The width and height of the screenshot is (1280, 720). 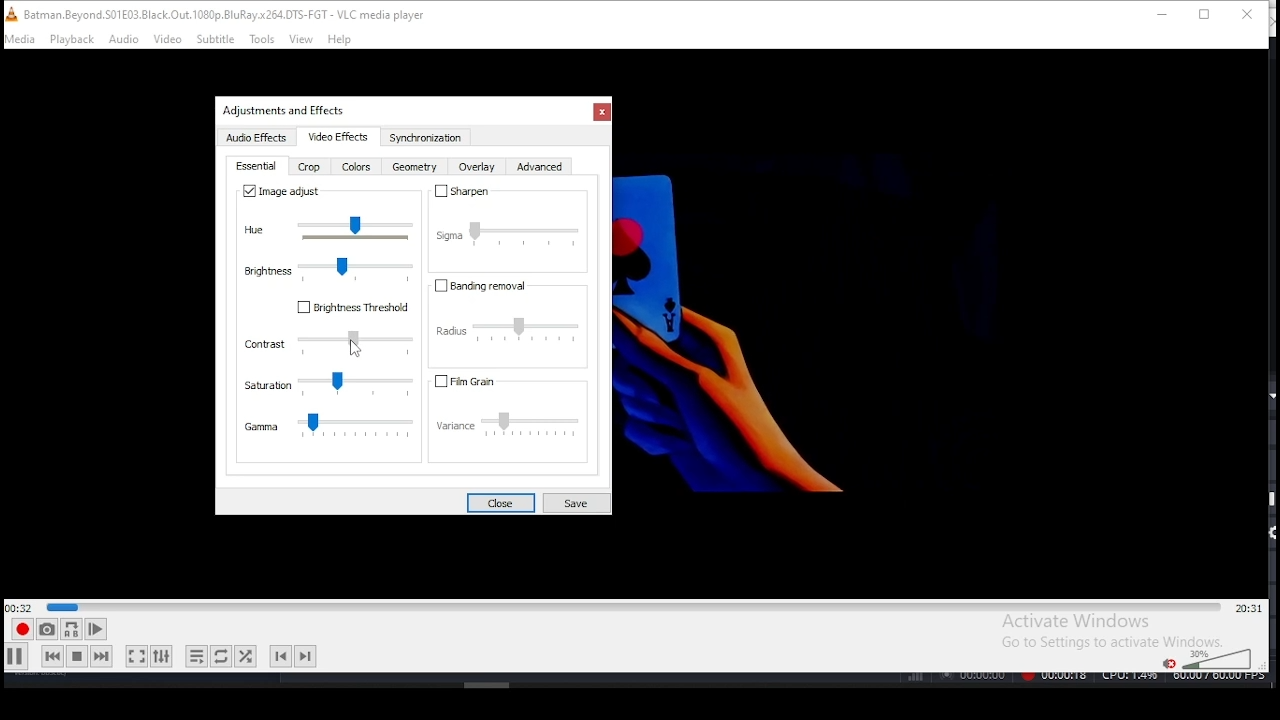 I want to click on image adjust on/off, so click(x=284, y=192).